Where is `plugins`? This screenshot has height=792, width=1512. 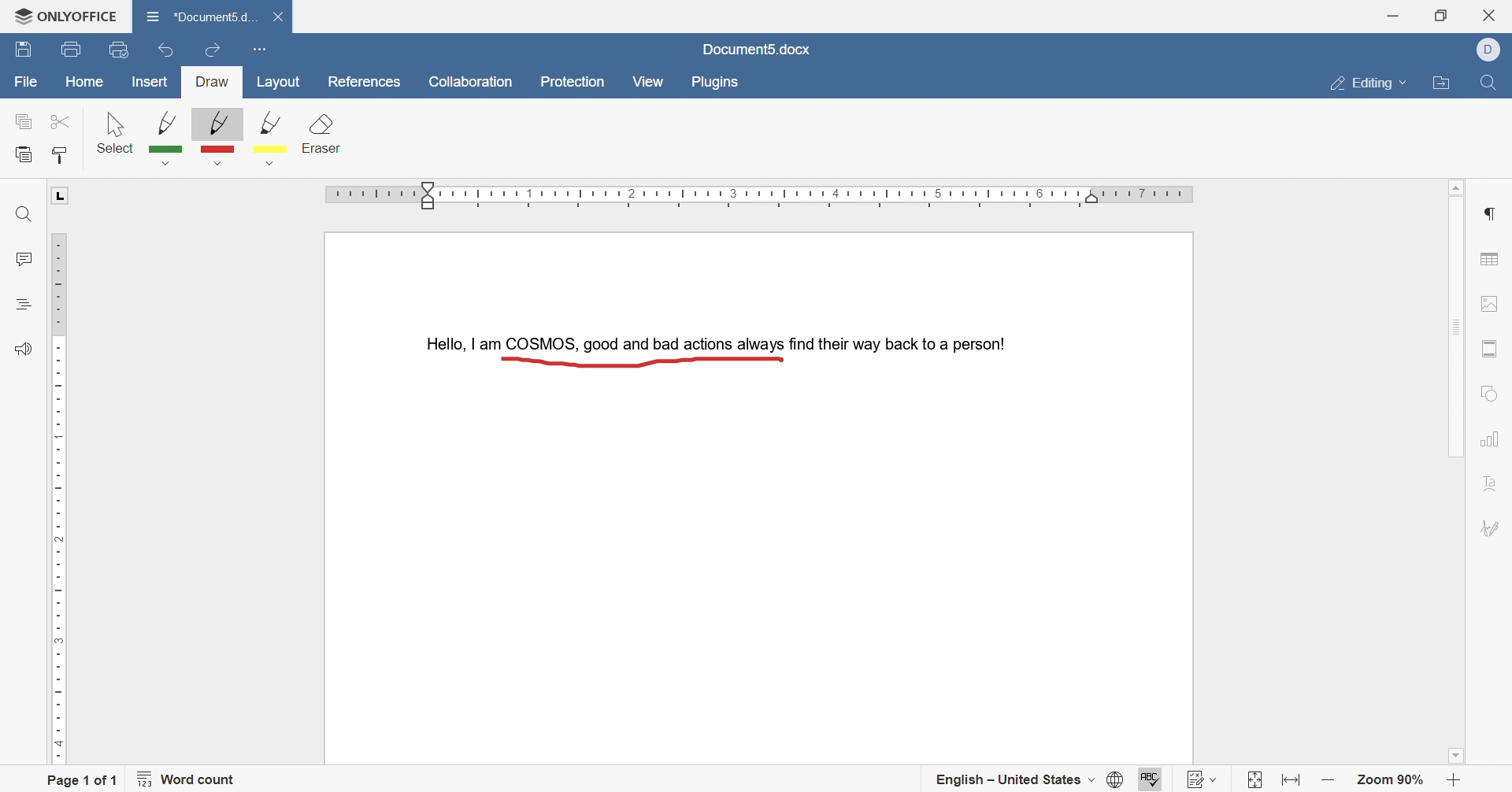
plugins is located at coordinates (716, 83).